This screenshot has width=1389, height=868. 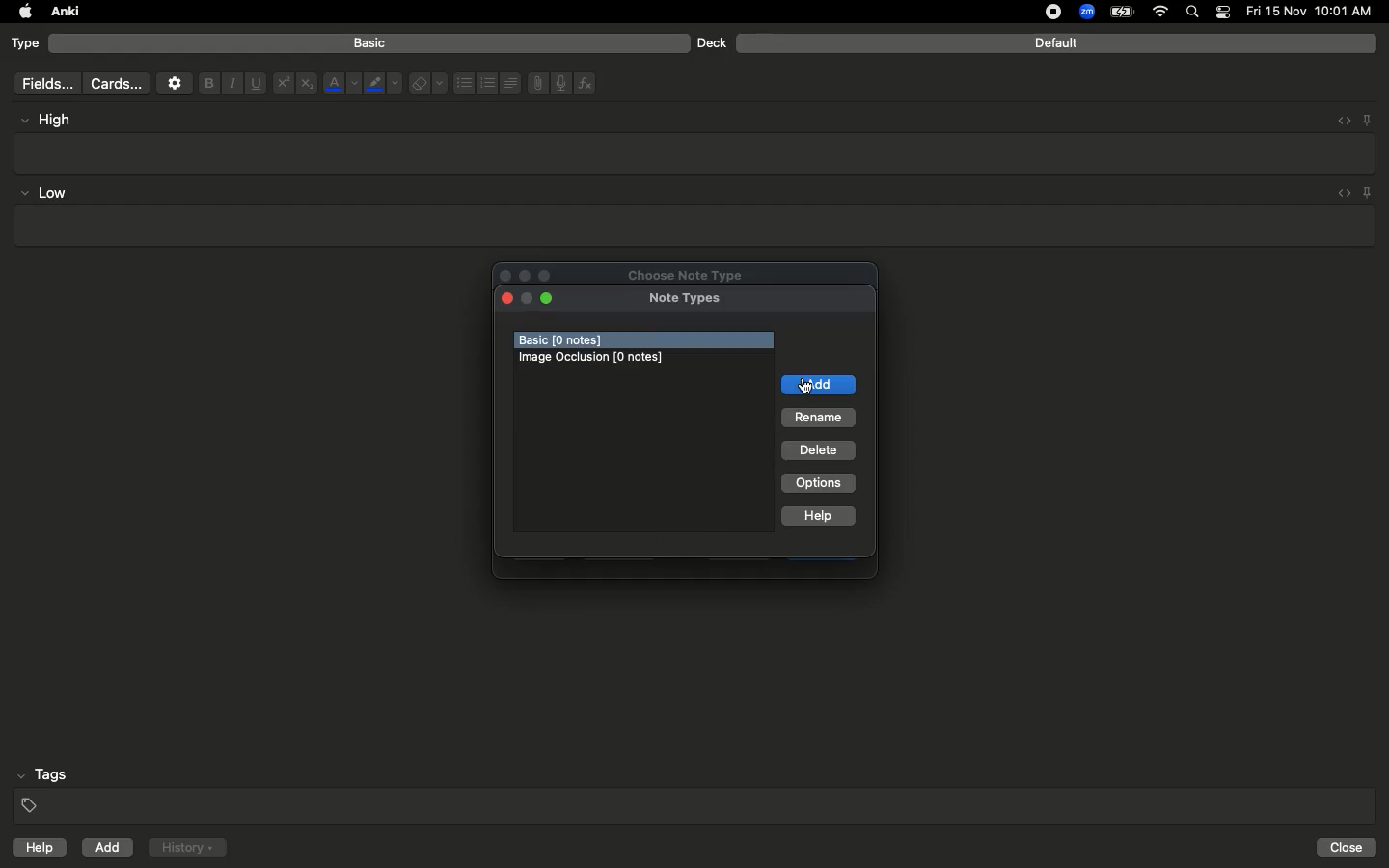 I want to click on Marker, so click(x=383, y=85).